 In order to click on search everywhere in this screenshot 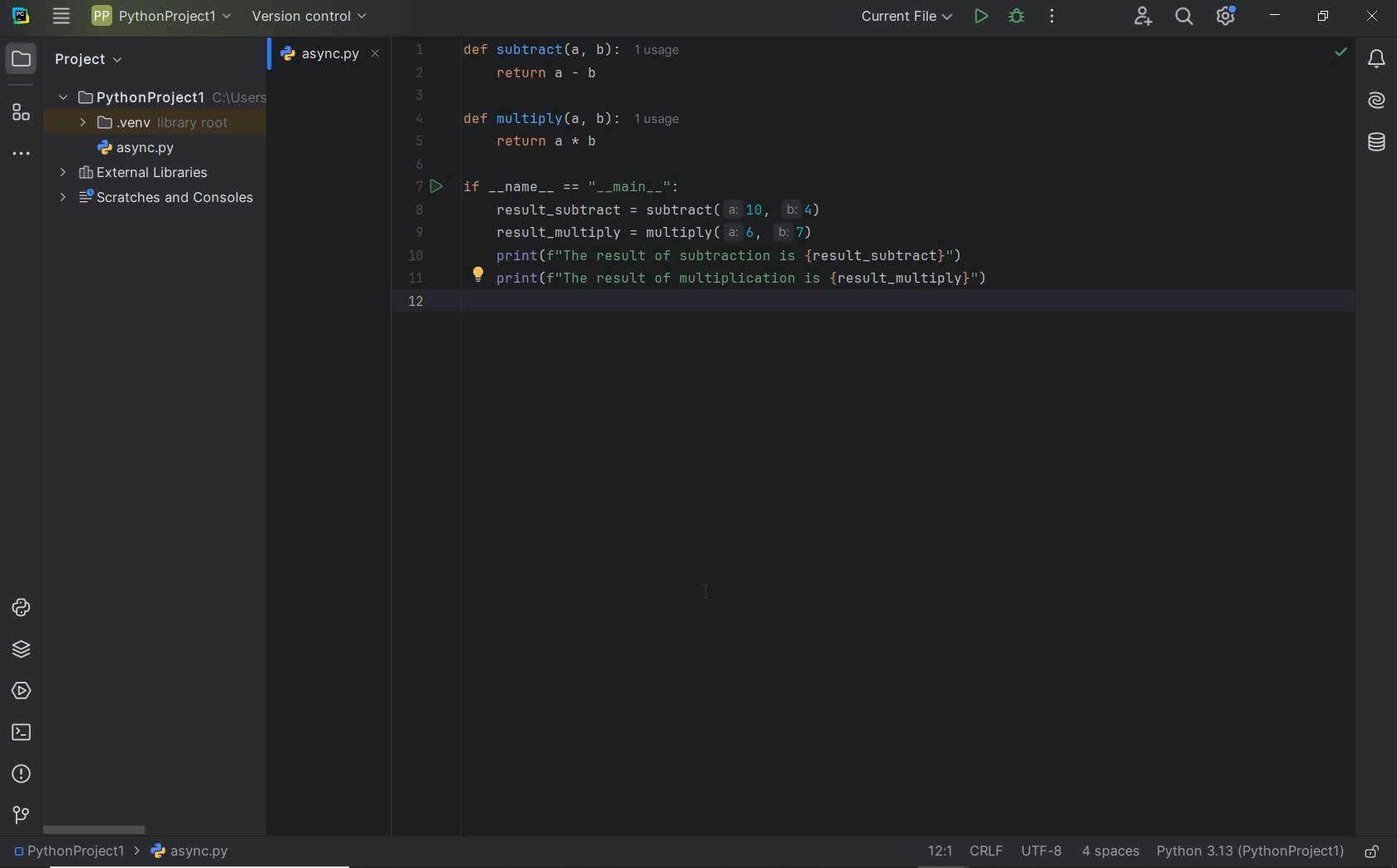, I will do `click(1185, 17)`.